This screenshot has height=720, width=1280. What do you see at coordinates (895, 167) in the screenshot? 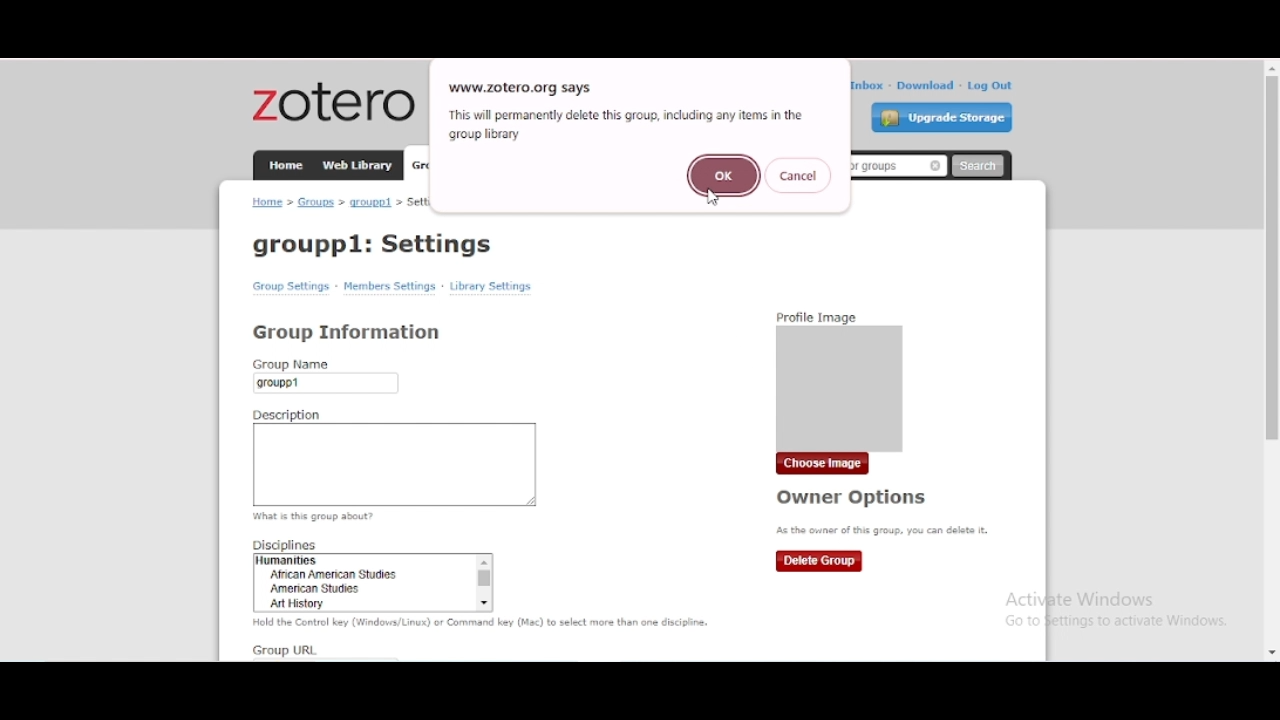
I see `search for groups` at bounding box center [895, 167].